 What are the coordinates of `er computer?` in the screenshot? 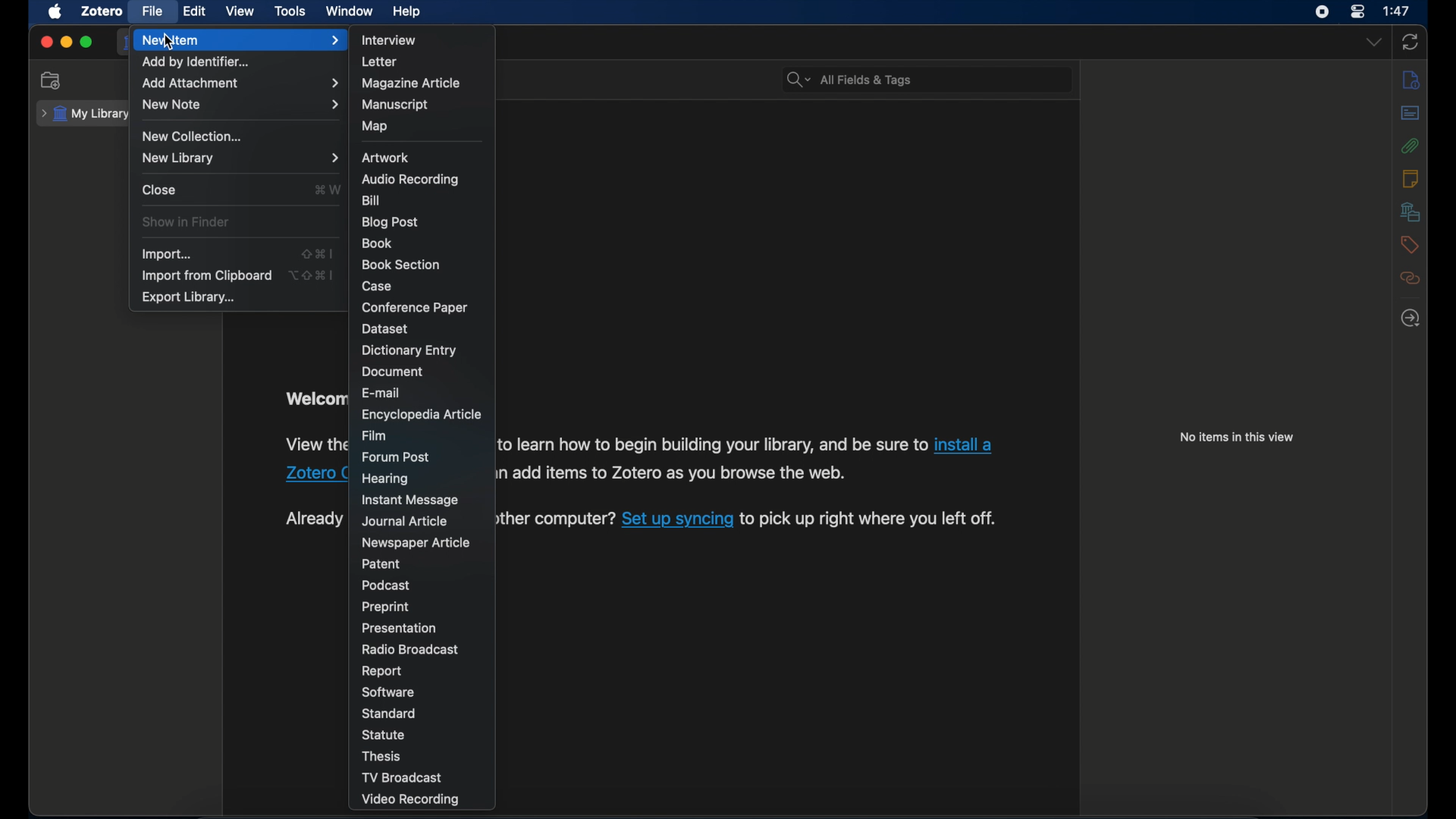 It's located at (558, 517).